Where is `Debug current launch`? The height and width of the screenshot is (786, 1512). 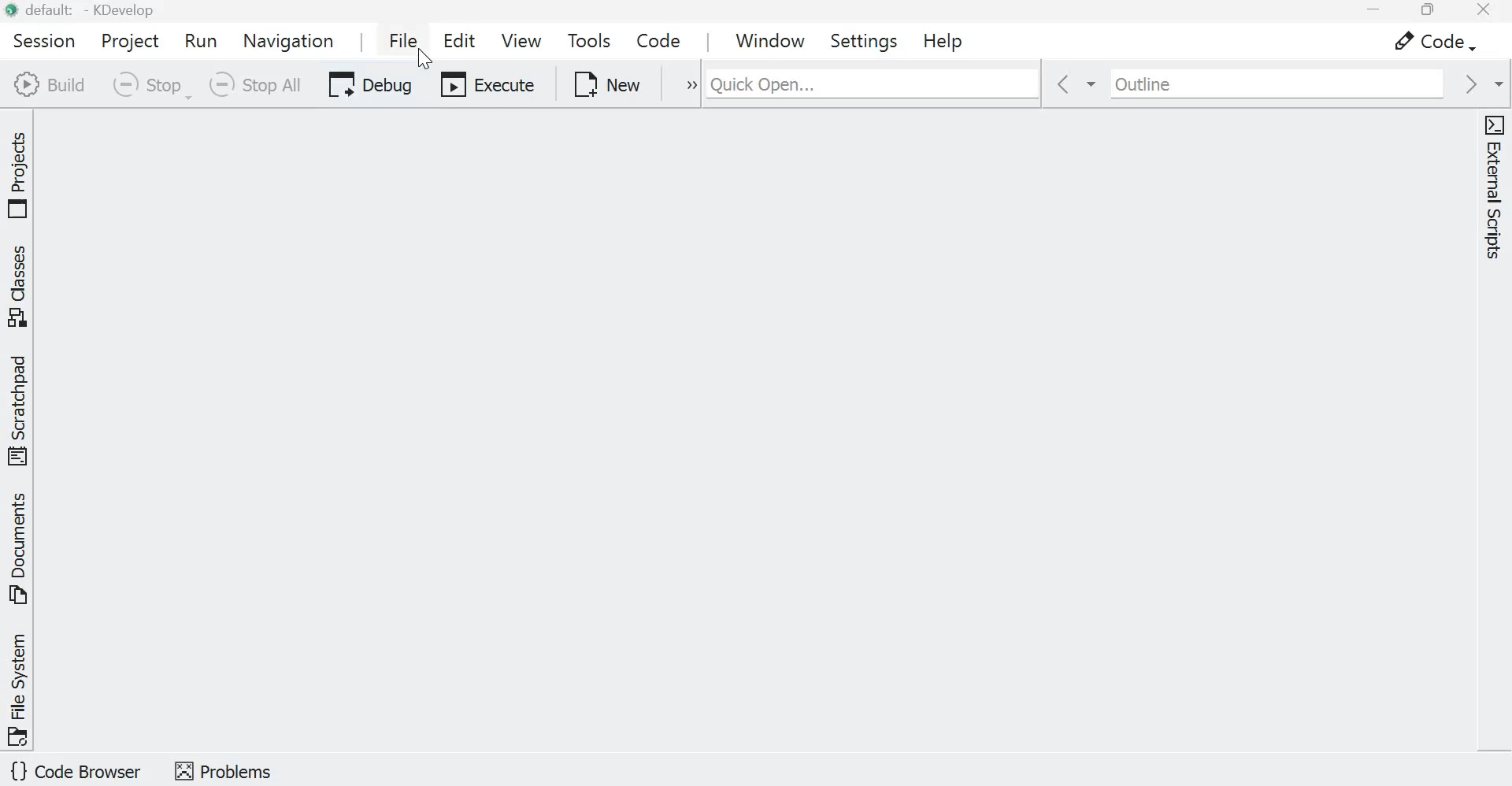 Debug current launch is located at coordinates (365, 87).